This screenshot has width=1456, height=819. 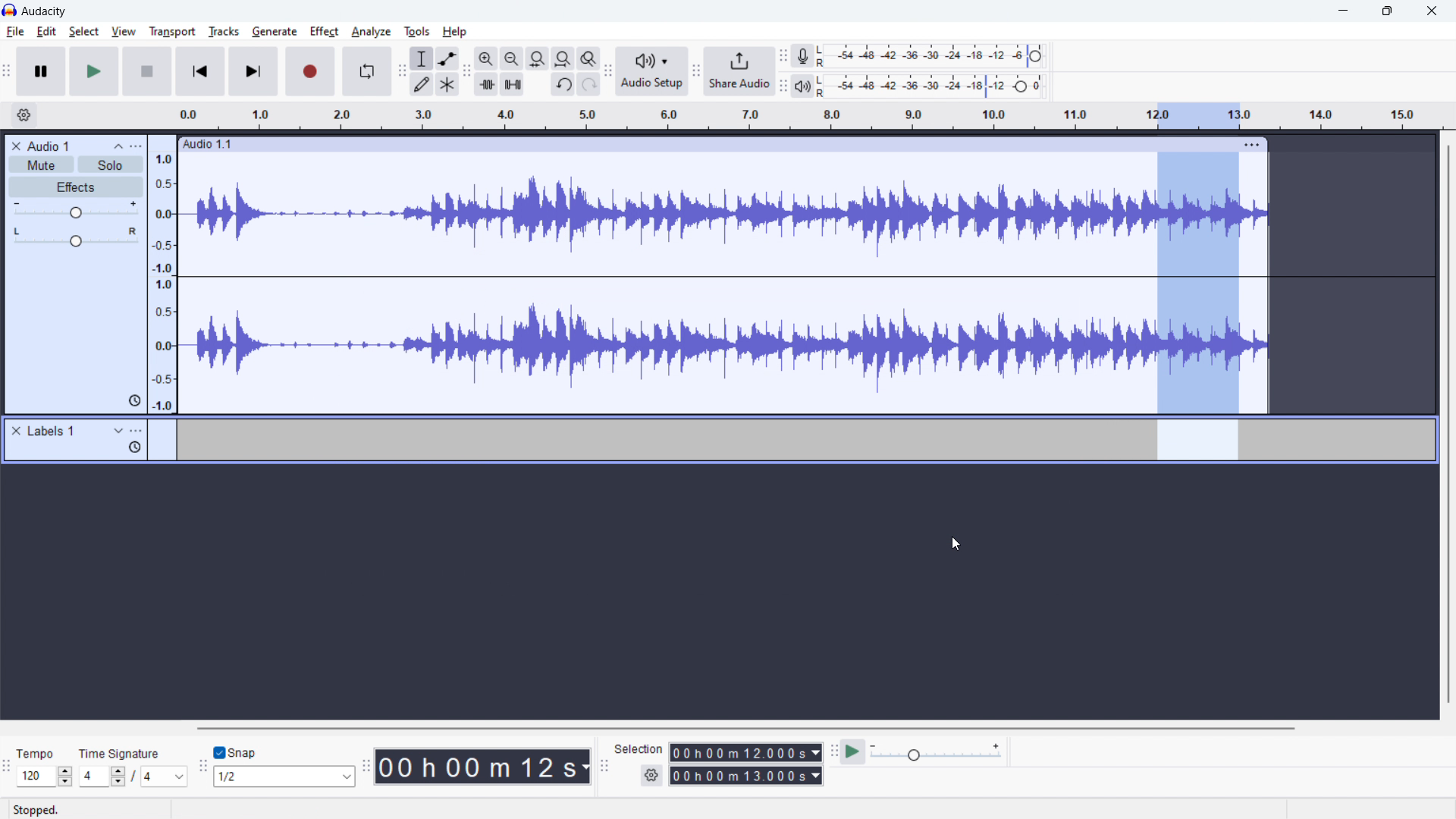 What do you see at coordinates (1342, 11) in the screenshot?
I see `minimize` at bounding box center [1342, 11].